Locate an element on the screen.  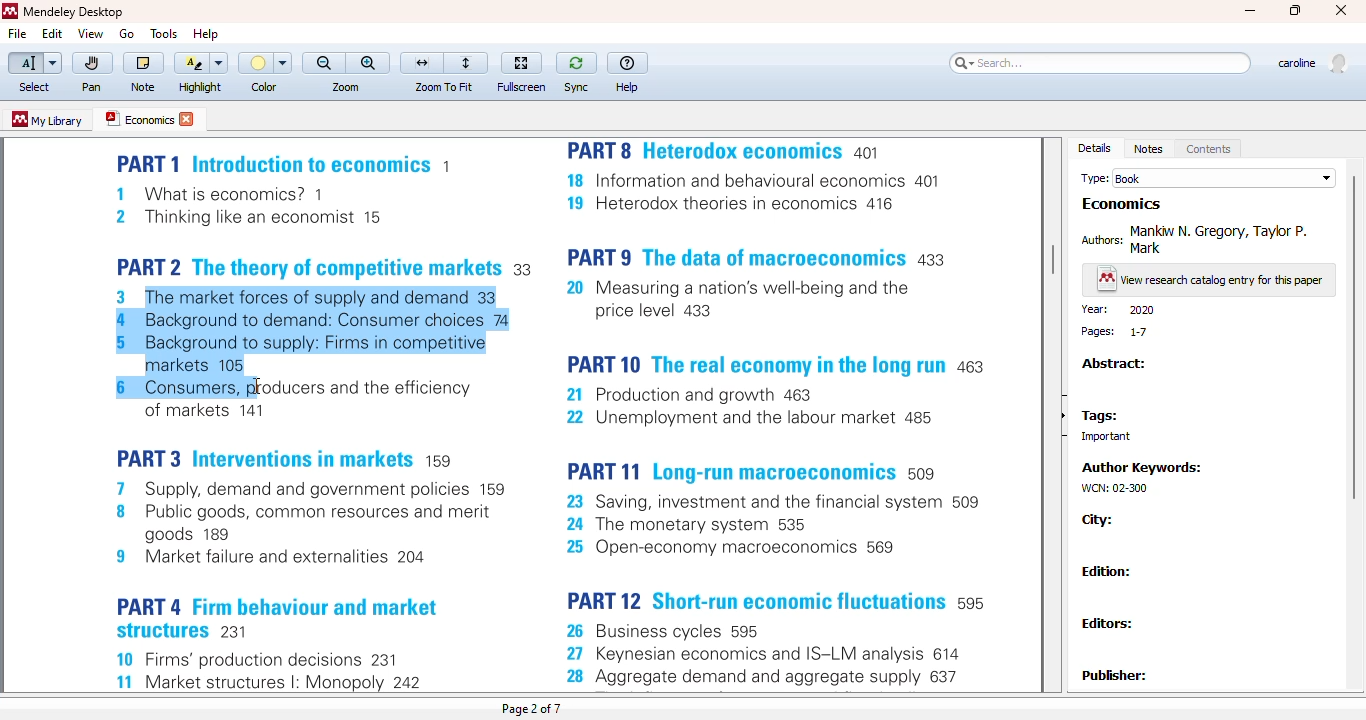
page 2 of 7  is located at coordinates (530, 709).